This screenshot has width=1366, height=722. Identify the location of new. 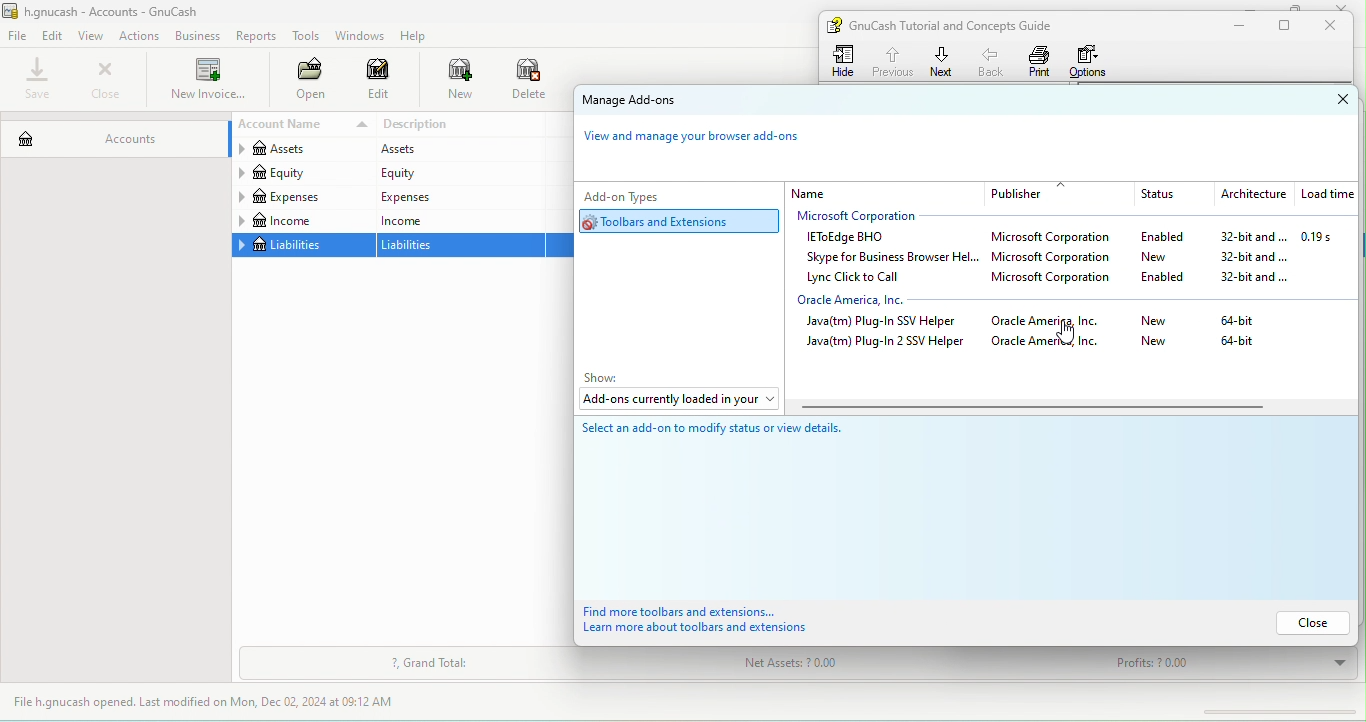
(1169, 256).